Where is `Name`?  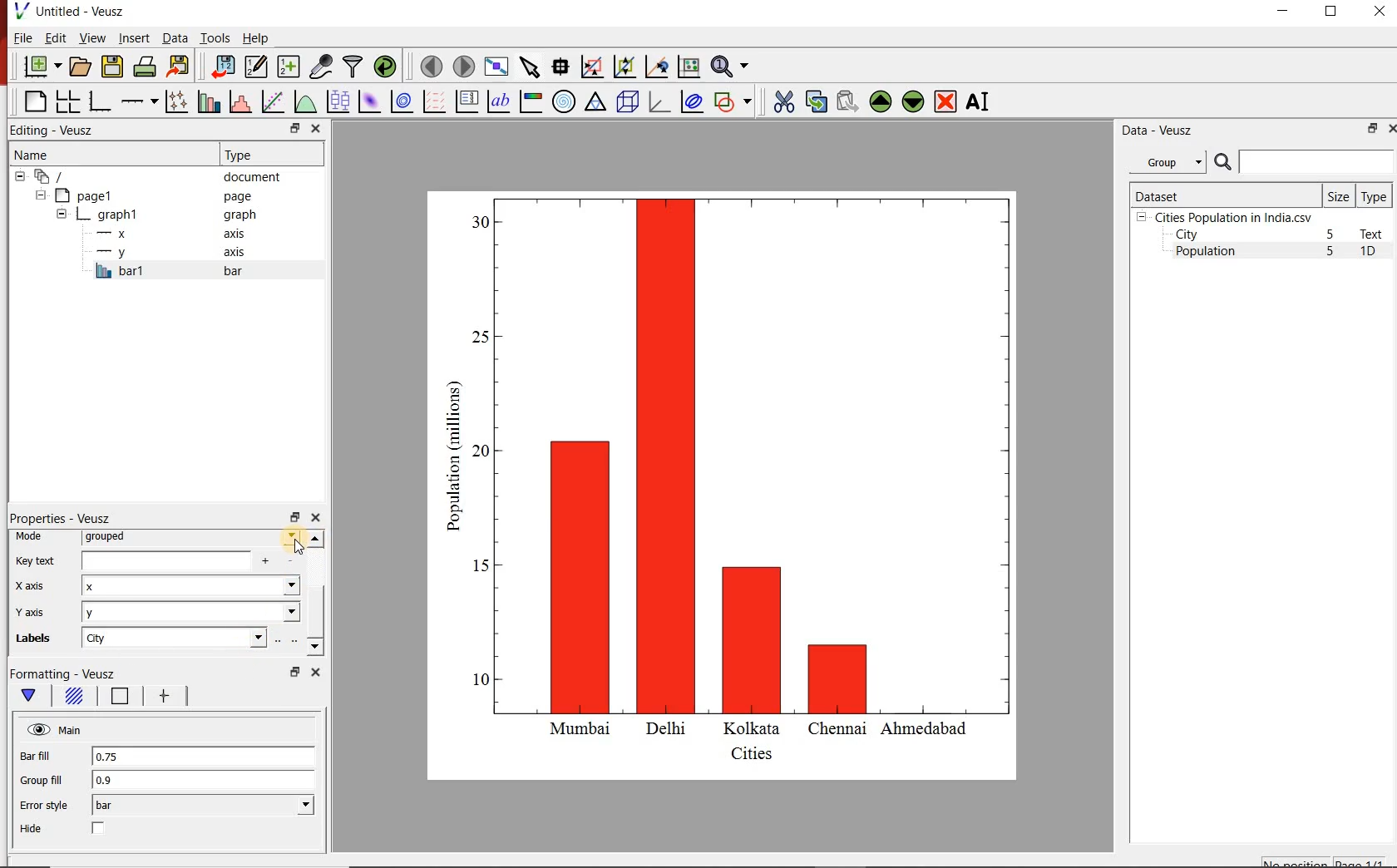
Name is located at coordinates (94, 152).